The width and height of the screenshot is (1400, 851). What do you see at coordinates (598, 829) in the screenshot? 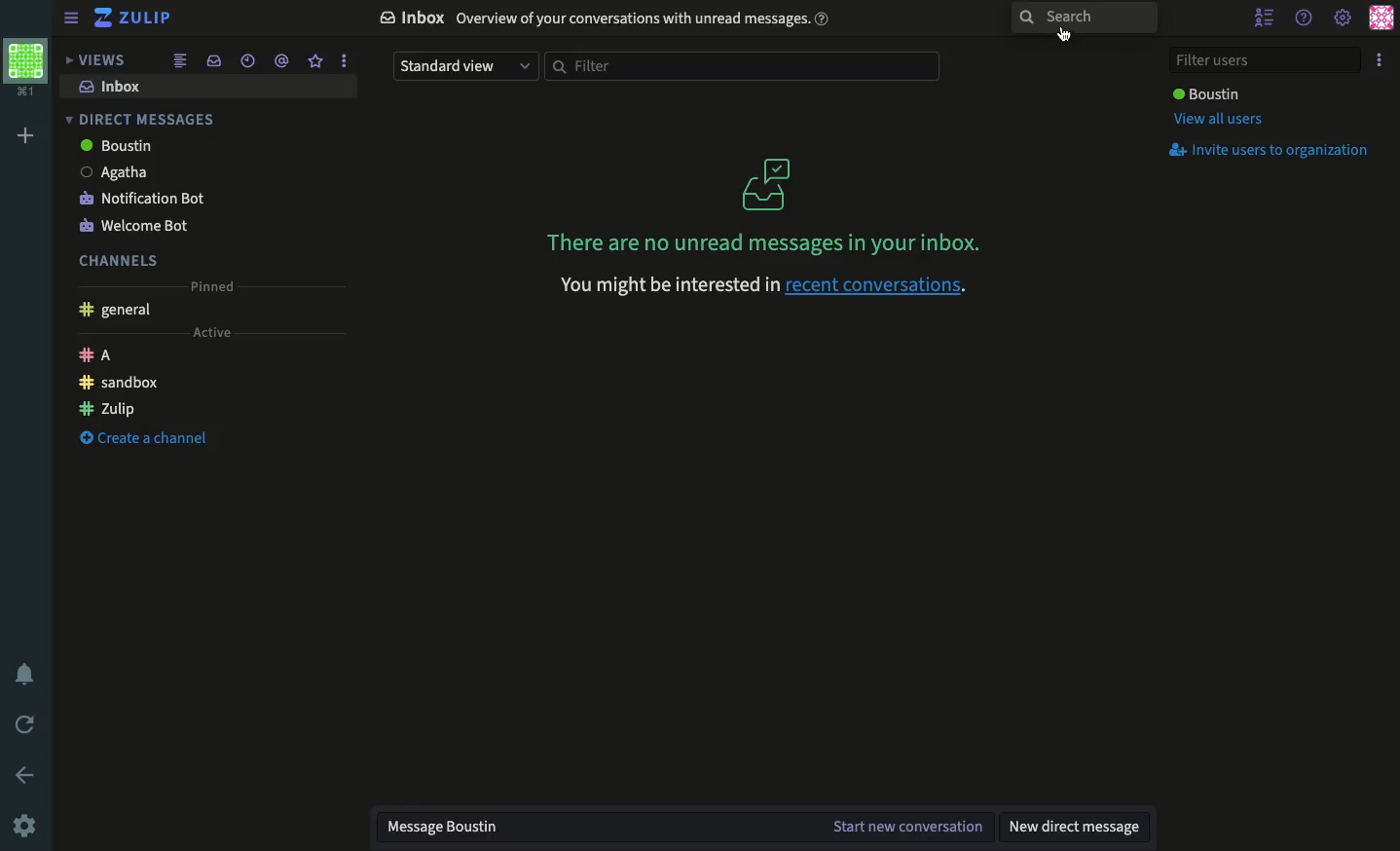
I see `Message` at bounding box center [598, 829].